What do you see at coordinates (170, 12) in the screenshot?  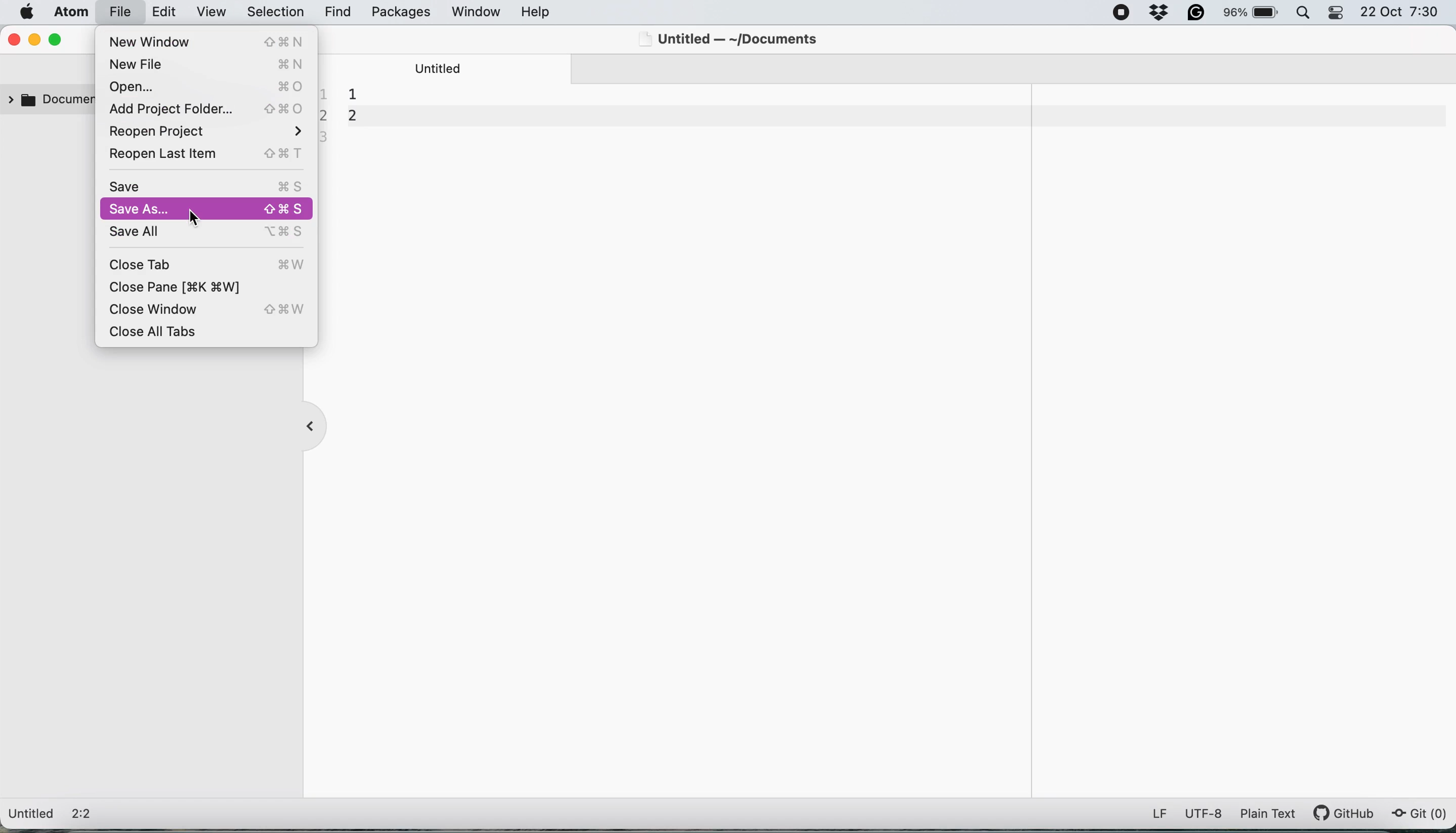 I see `edit` at bounding box center [170, 12].